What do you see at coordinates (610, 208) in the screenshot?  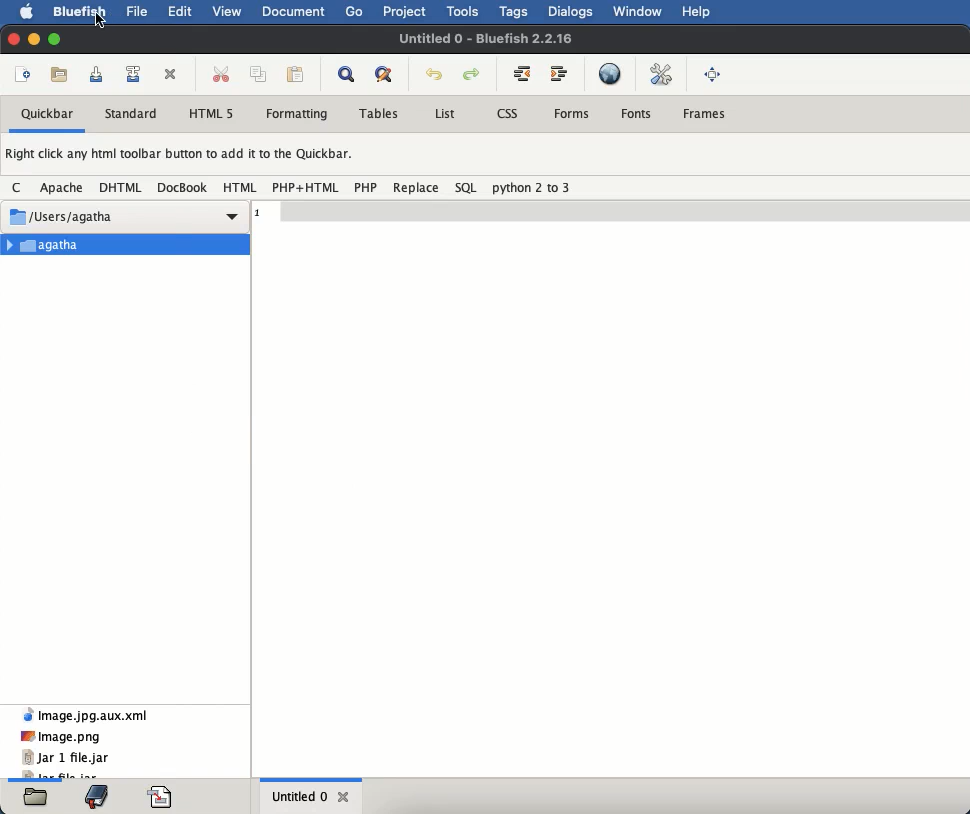 I see `line` at bounding box center [610, 208].